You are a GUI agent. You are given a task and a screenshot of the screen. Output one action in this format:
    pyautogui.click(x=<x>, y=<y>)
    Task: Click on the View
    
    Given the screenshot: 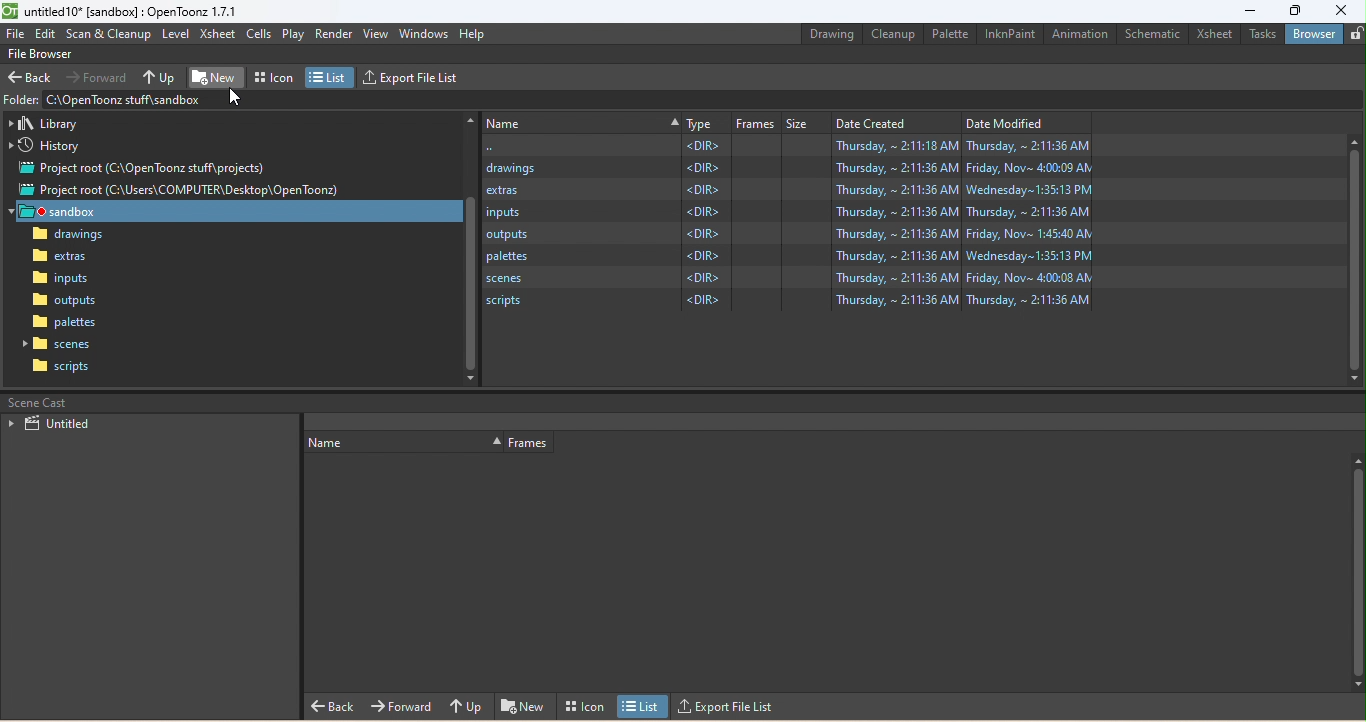 What is the action you would take?
    pyautogui.click(x=378, y=34)
    